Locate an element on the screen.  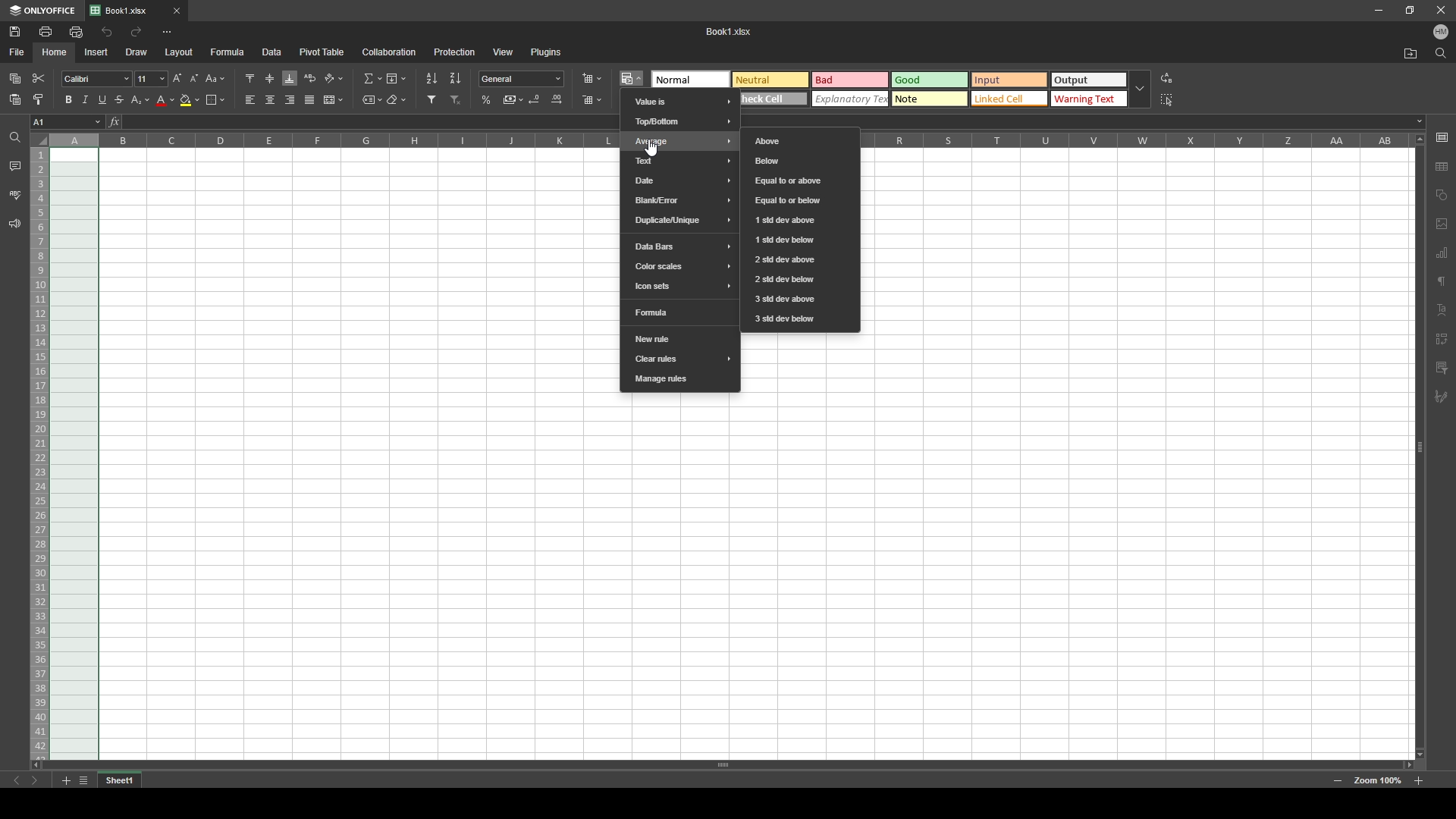
named ranges is located at coordinates (372, 100).